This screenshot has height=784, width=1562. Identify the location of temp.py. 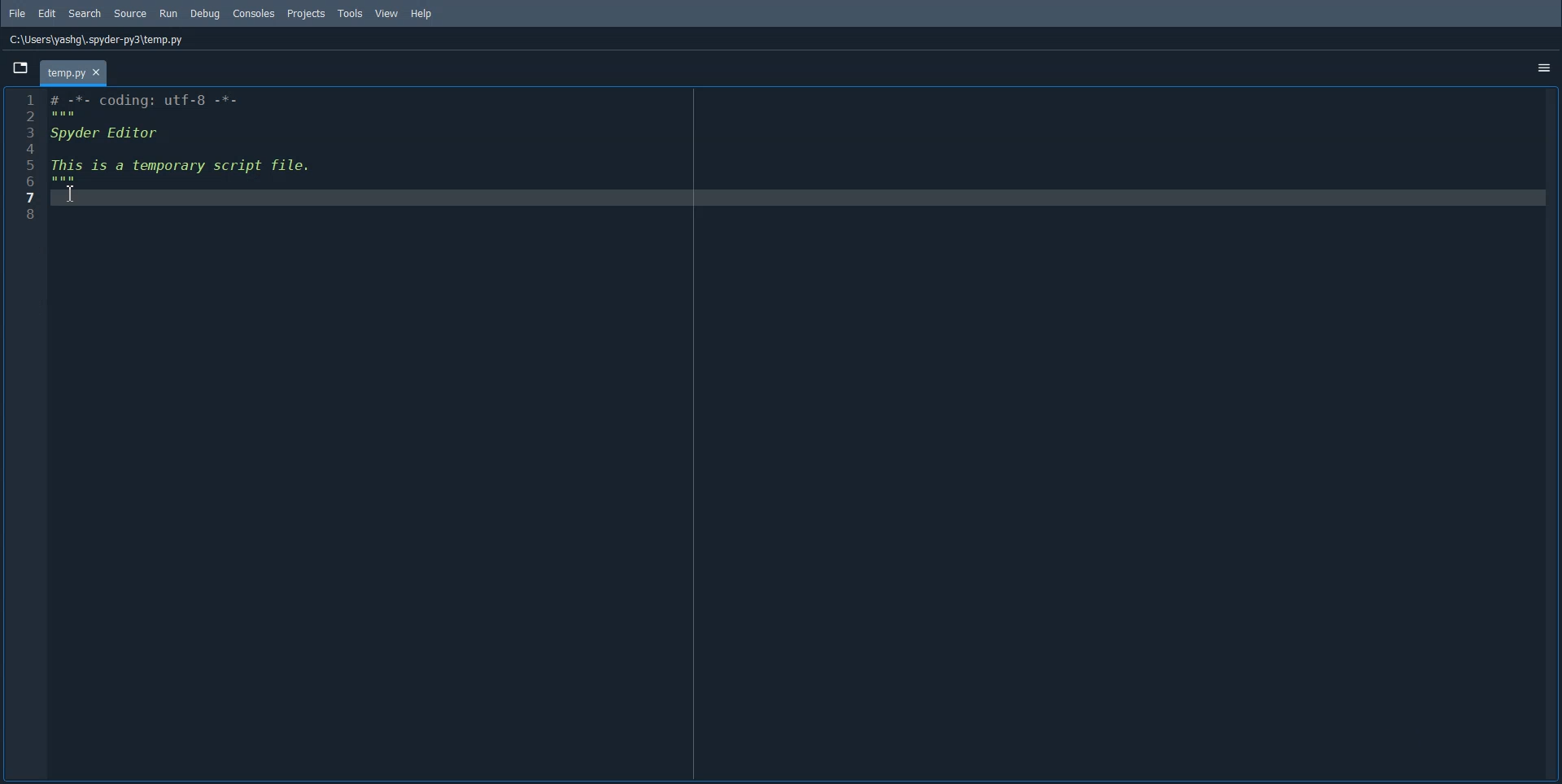
(75, 72).